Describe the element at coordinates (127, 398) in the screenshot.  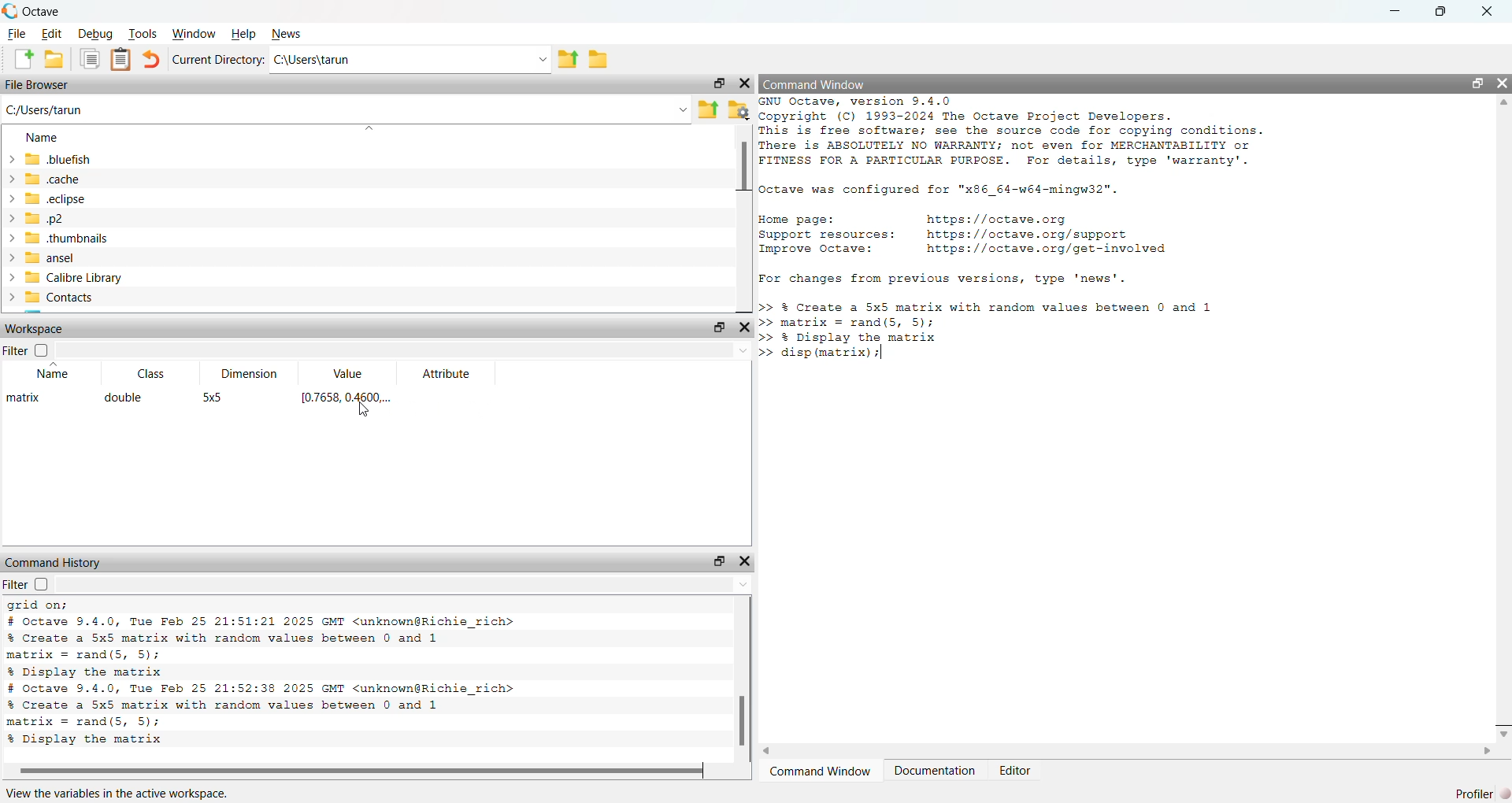
I see `double` at that location.